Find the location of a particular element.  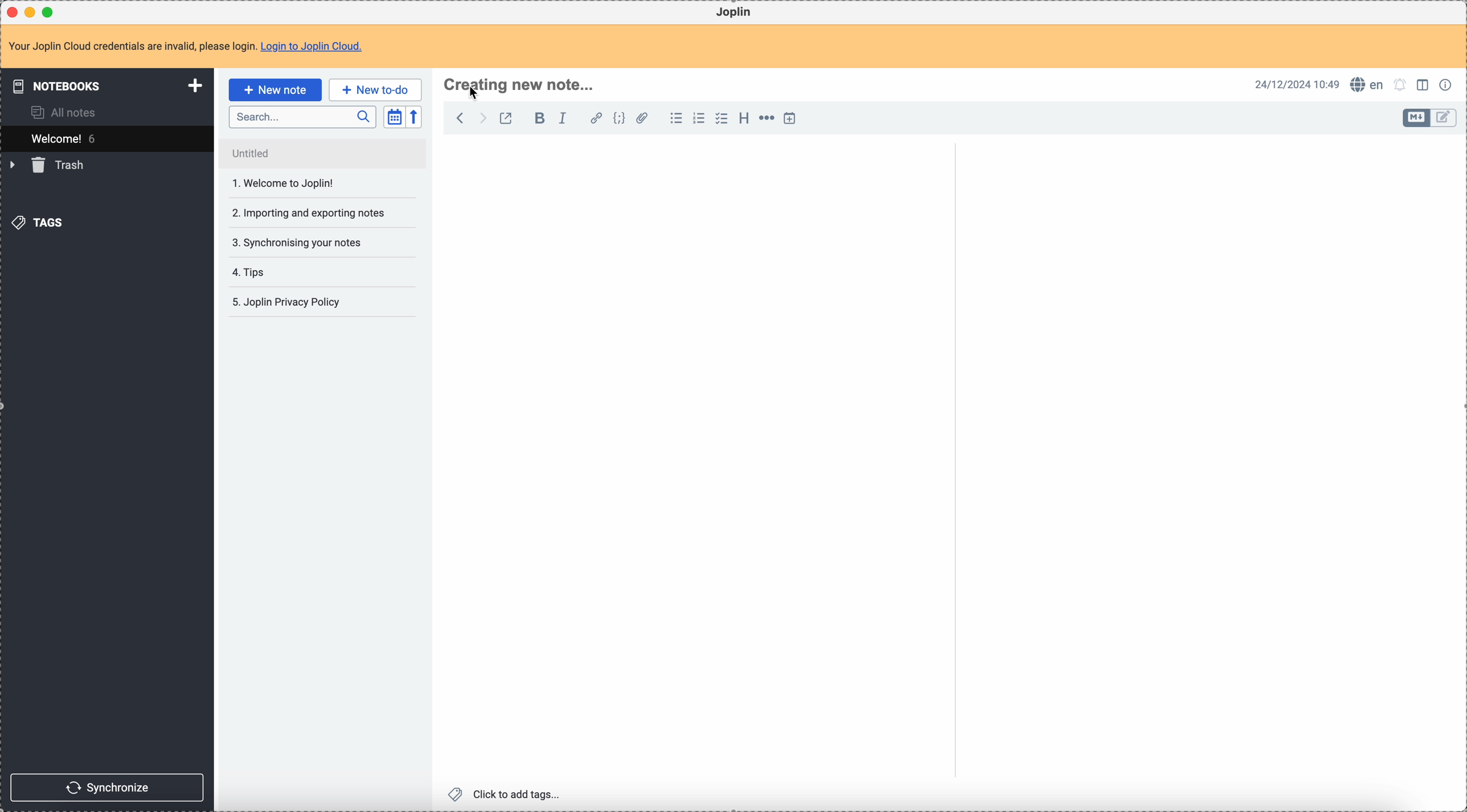

importing and exporting notes is located at coordinates (308, 212).